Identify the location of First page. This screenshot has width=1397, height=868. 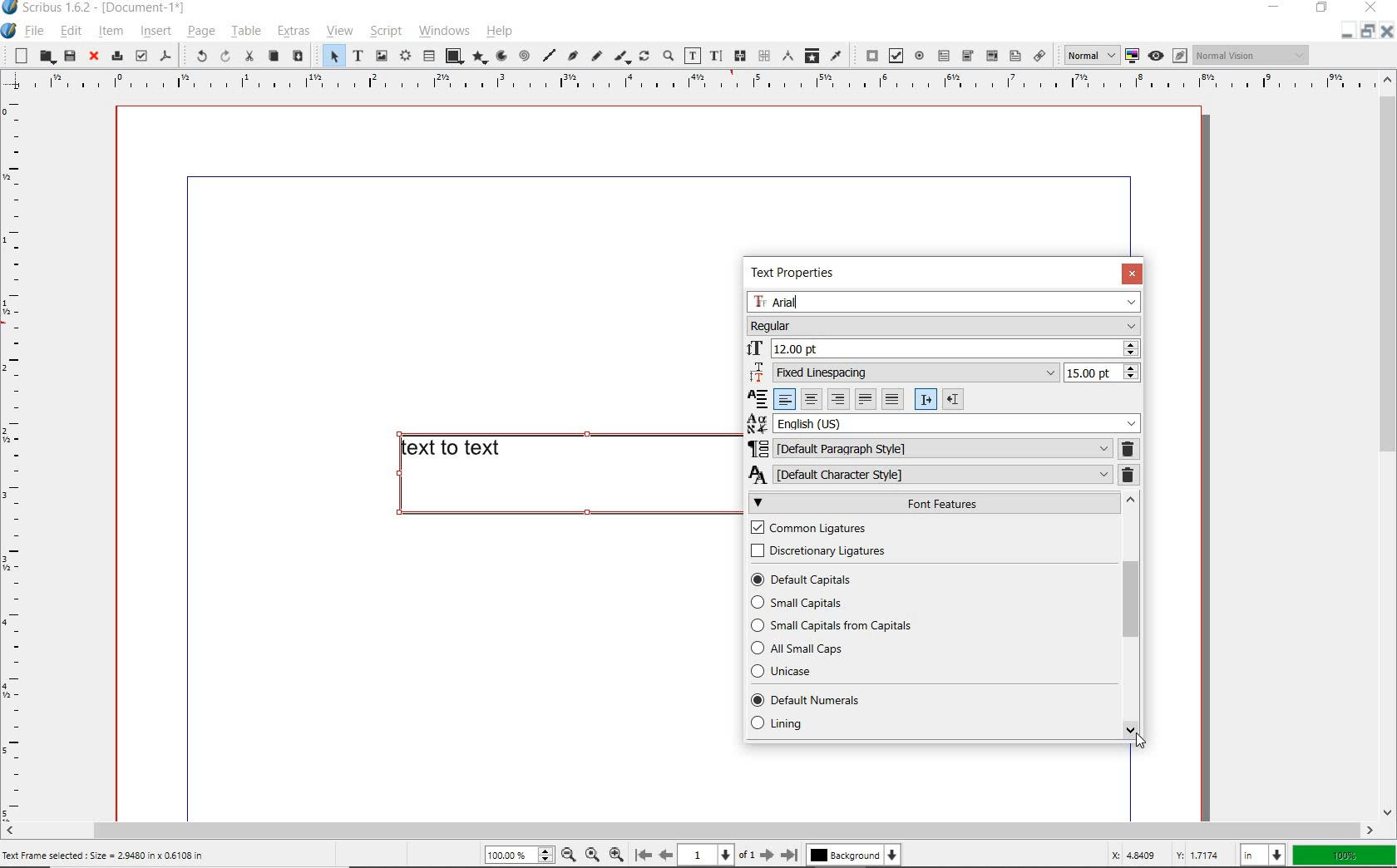
(642, 856).